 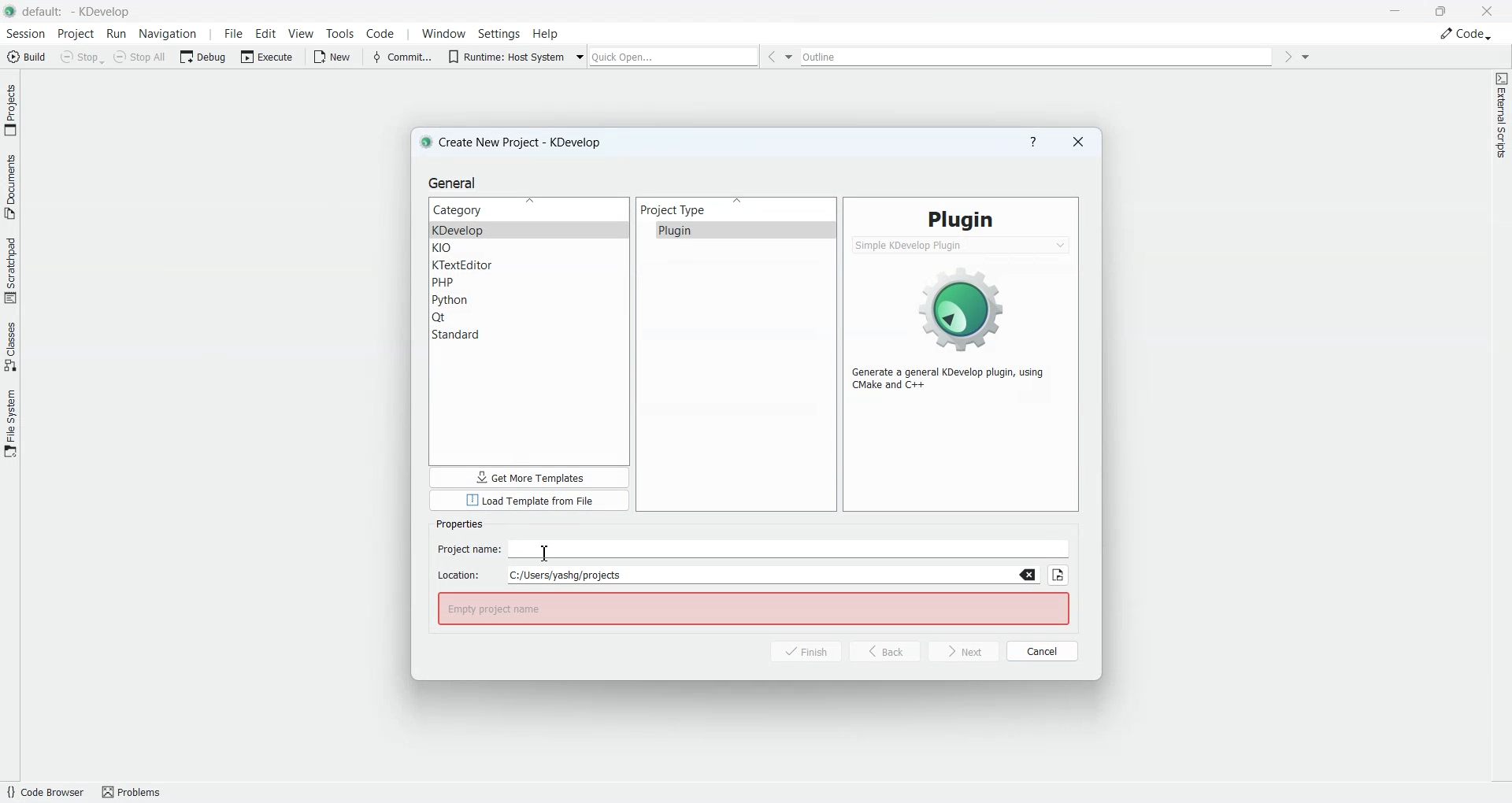 What do you see at coordinates (24, 34) in the screenshot?
I see `Session` at bounding box center [24, 34].